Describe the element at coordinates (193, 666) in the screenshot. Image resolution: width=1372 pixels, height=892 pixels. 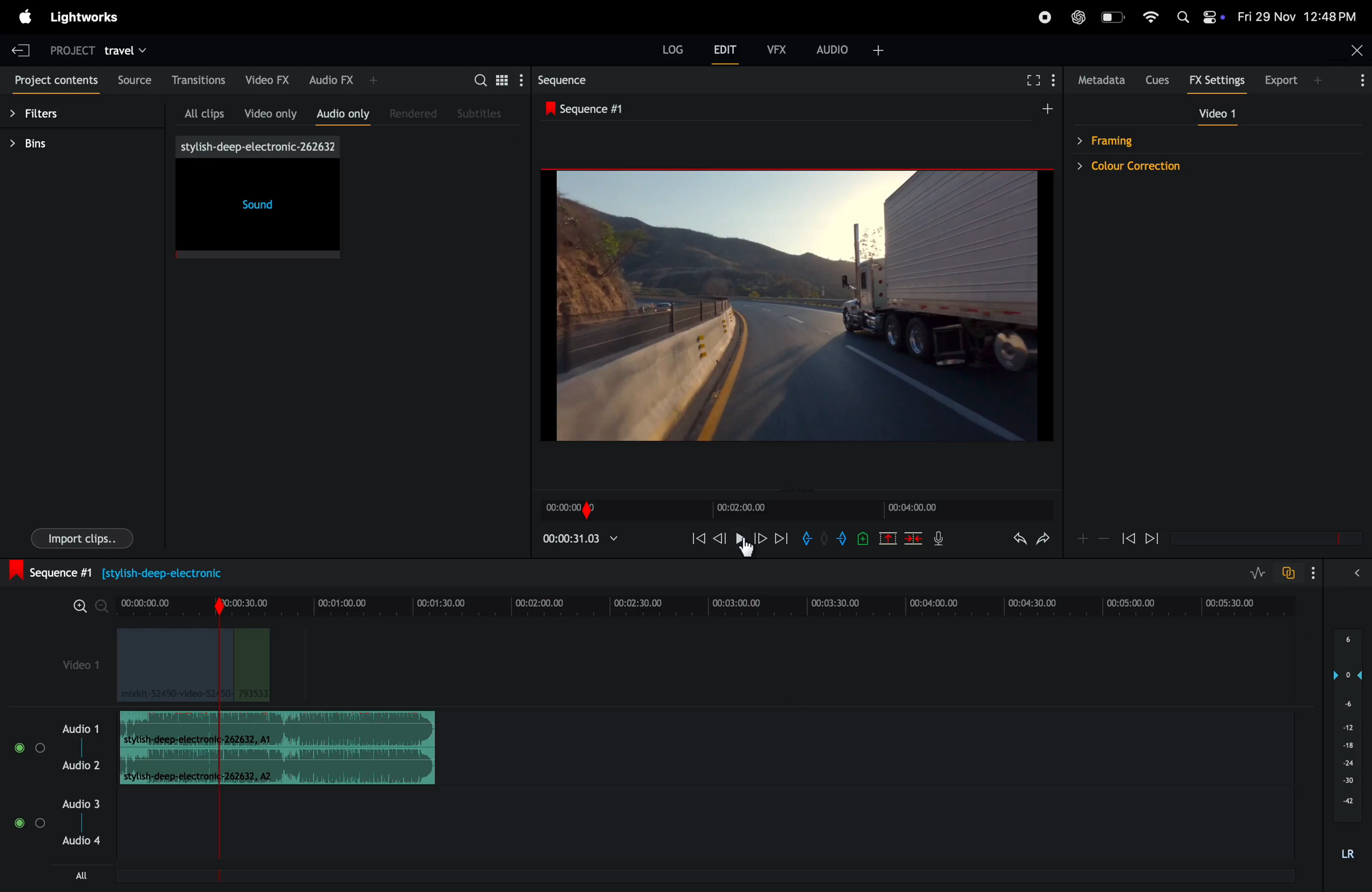
I see `audio clip` at that location.